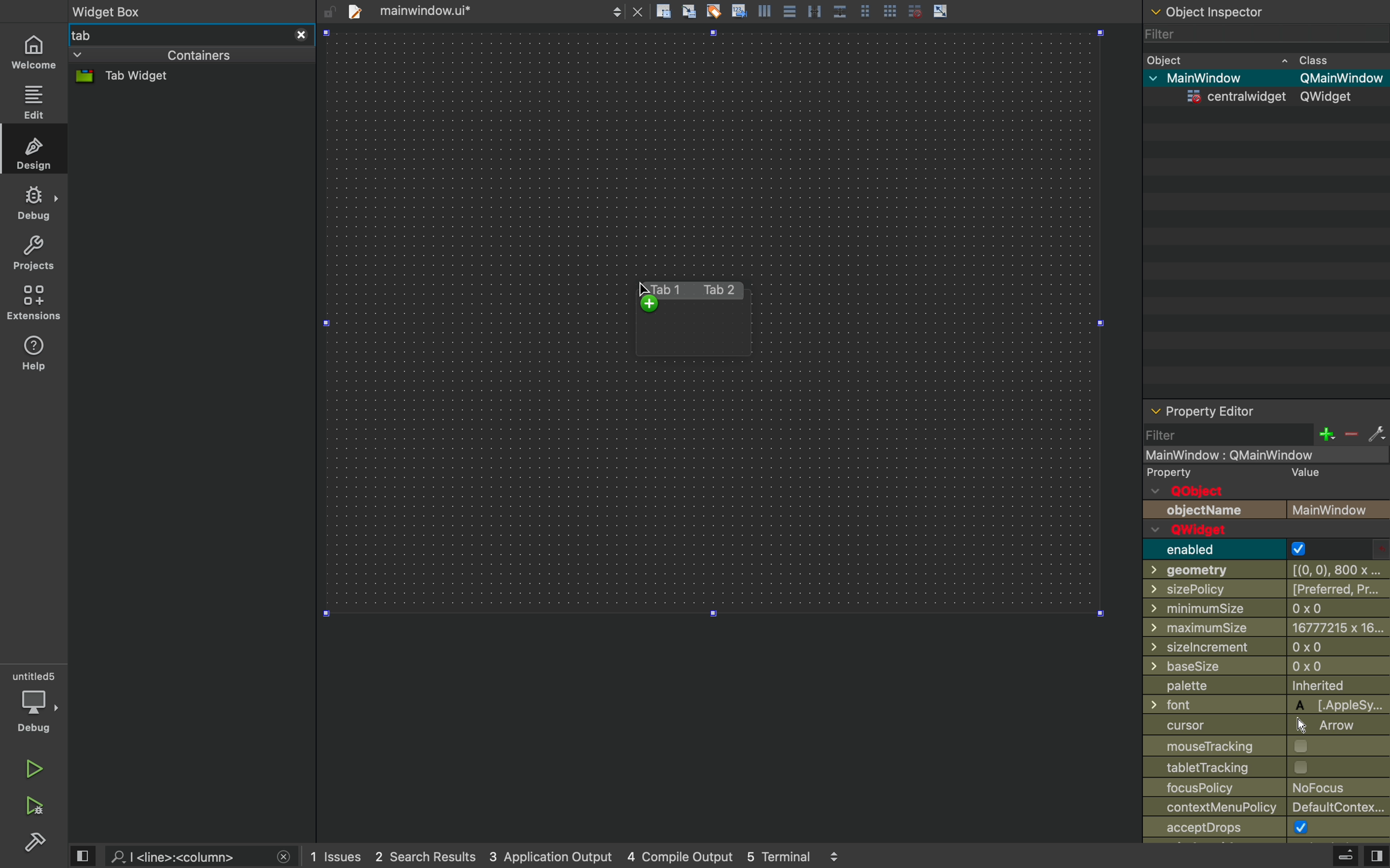 This screenshot has height=868, width=1390. What do you see at coordinates (866, 10) in the screenshot?
I see `grid view medium` at bounding box center [866, 10].